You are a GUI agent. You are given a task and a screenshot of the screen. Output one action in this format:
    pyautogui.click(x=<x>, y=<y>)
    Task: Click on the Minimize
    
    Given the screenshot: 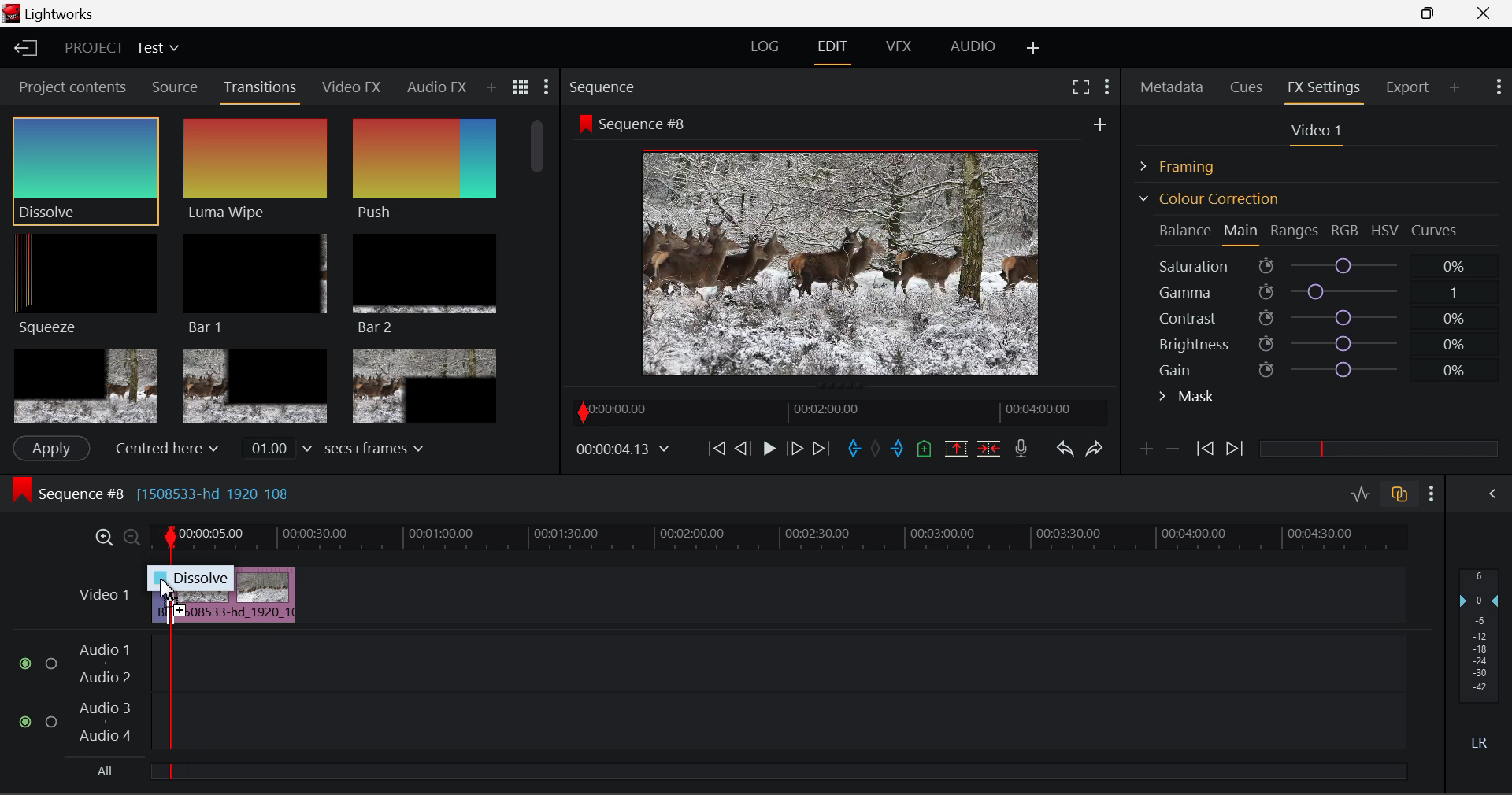 What is the action you would take?
    pyautogui.click(x=1432, y=13)
    